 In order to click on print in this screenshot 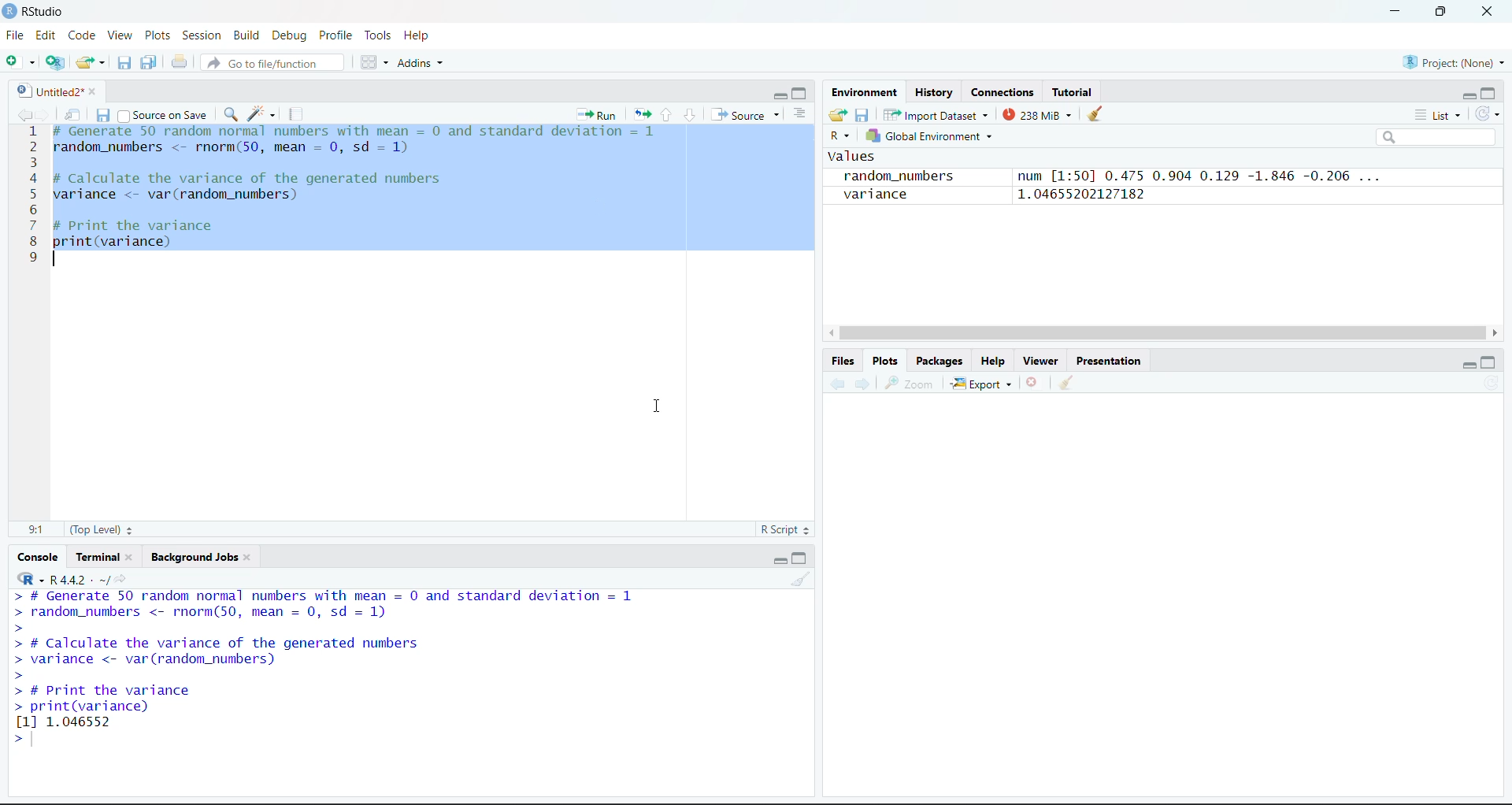, I will do `click(180, 61)`.